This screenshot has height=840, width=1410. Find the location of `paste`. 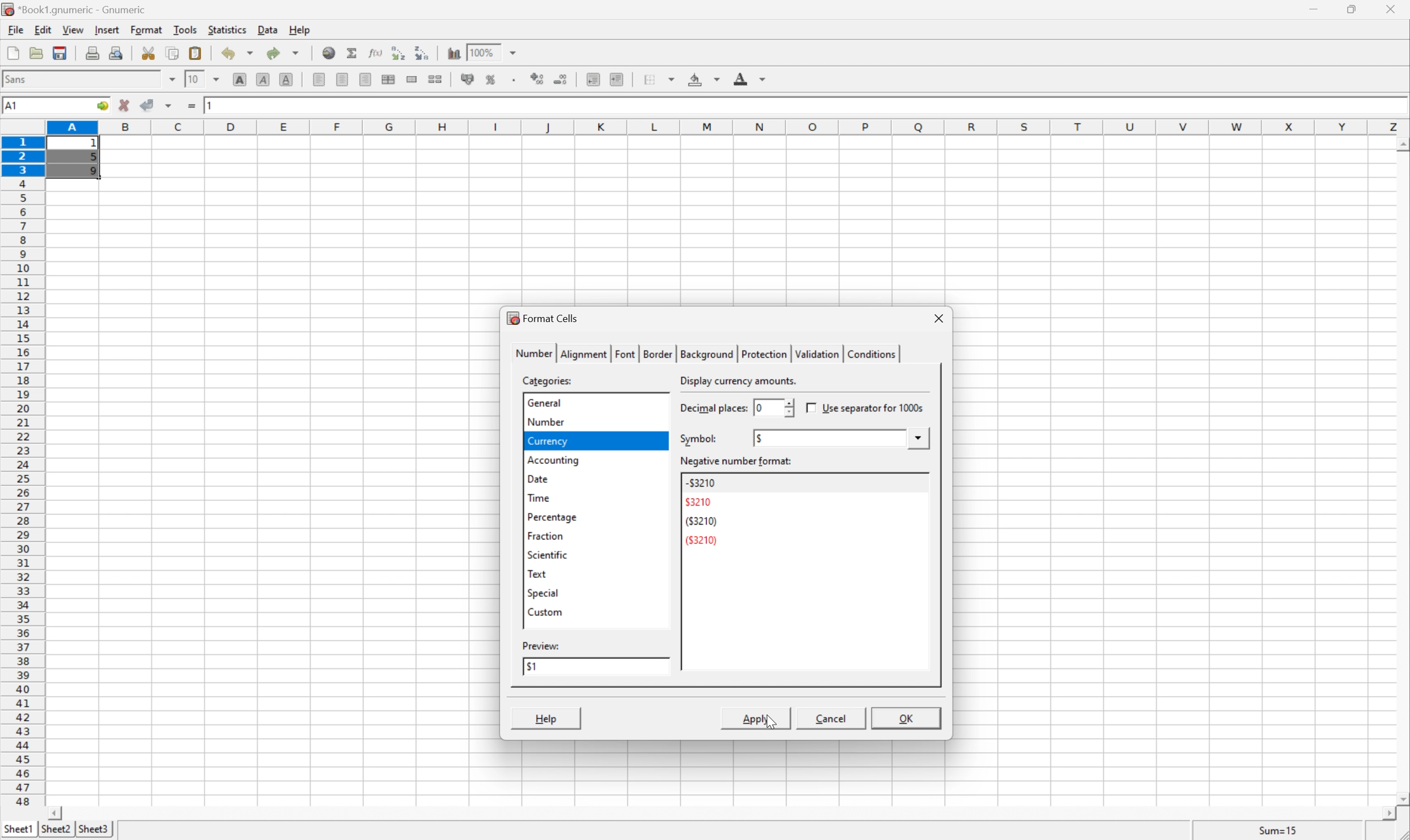

paste is located at coordinates (198, 53).